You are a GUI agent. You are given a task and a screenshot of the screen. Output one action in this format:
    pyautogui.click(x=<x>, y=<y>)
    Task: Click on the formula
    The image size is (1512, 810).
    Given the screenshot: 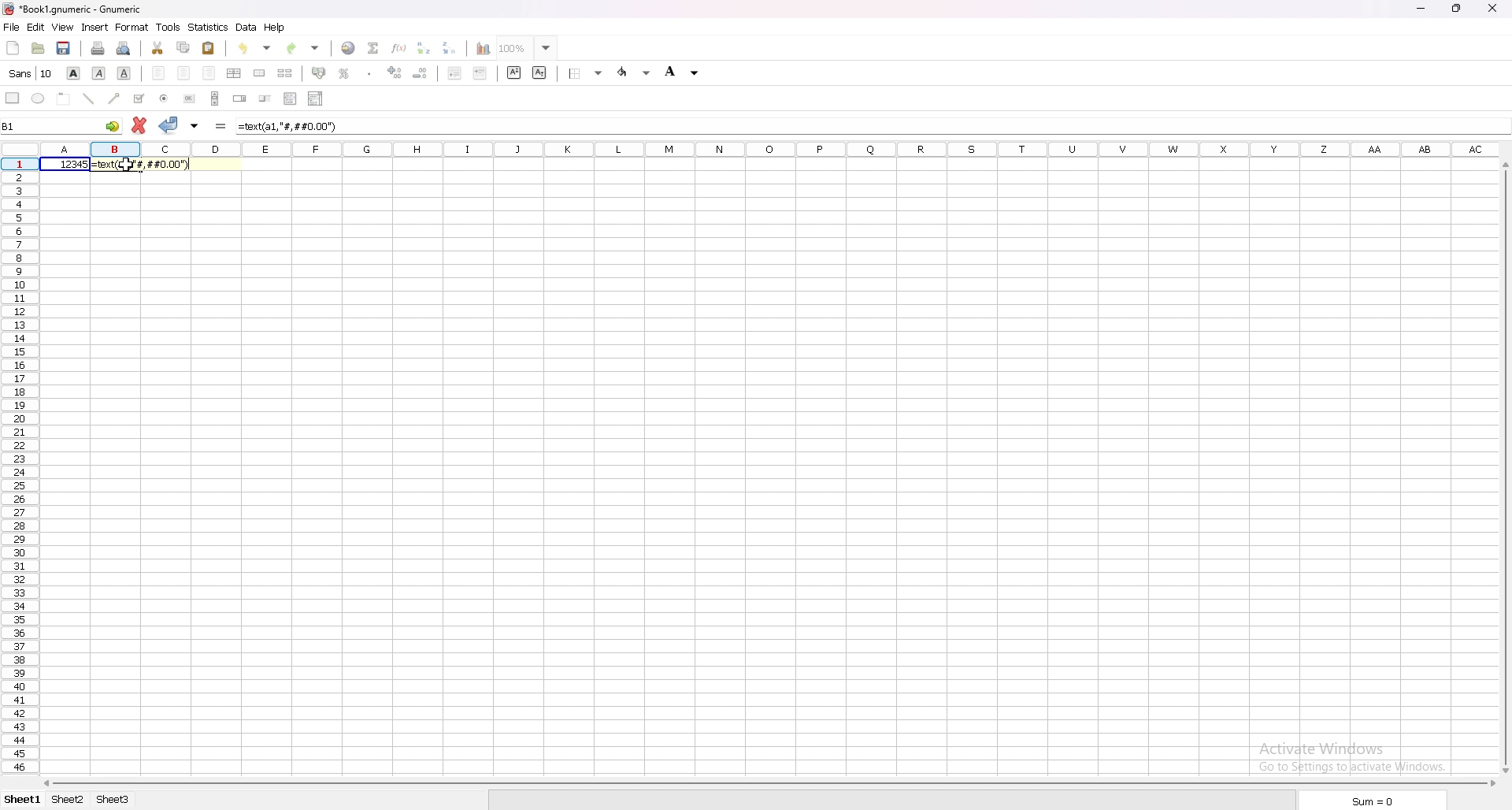 What is the action you would take?
    pyautogui.click(x=221, y=125)
    